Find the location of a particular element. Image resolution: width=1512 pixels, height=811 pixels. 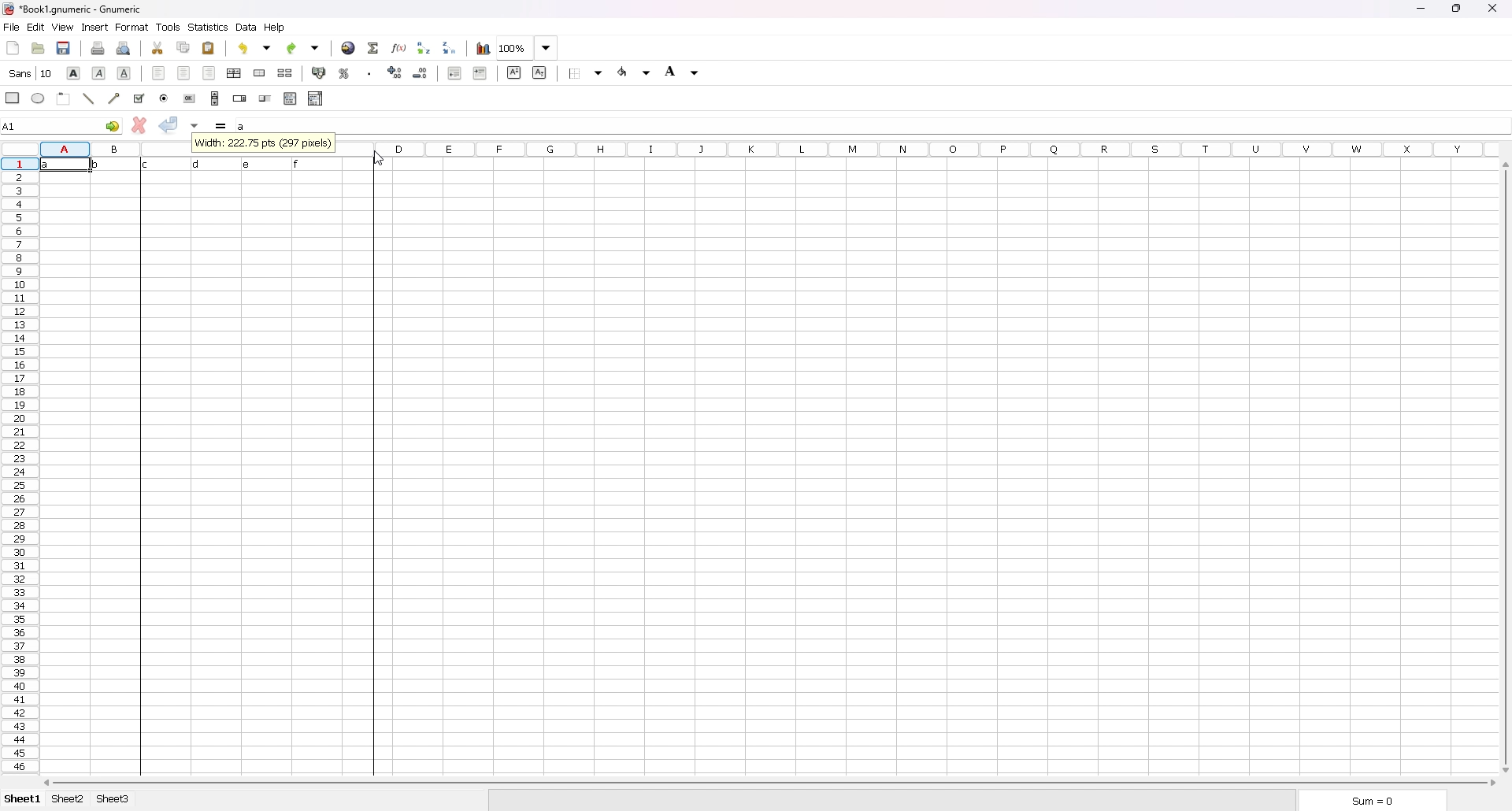

cut is located at coordinates (158, 47).